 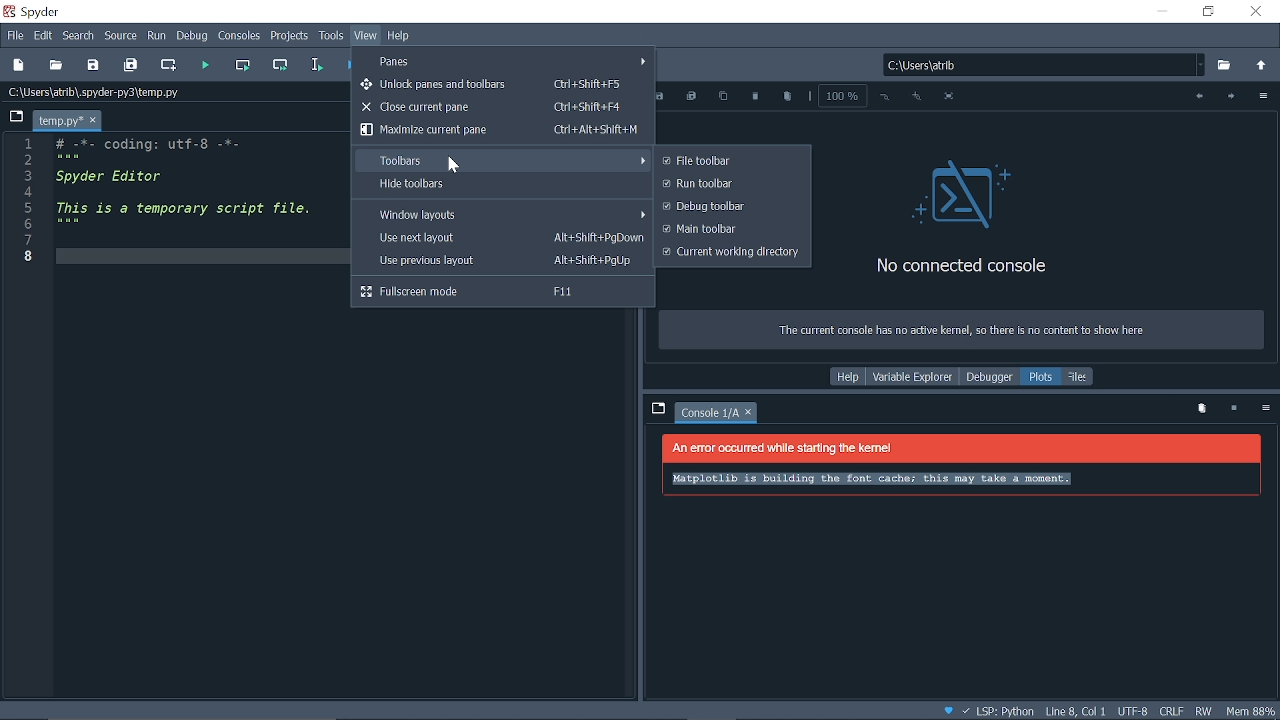 I want to click on Zoom in, so click(x=916, y=97).